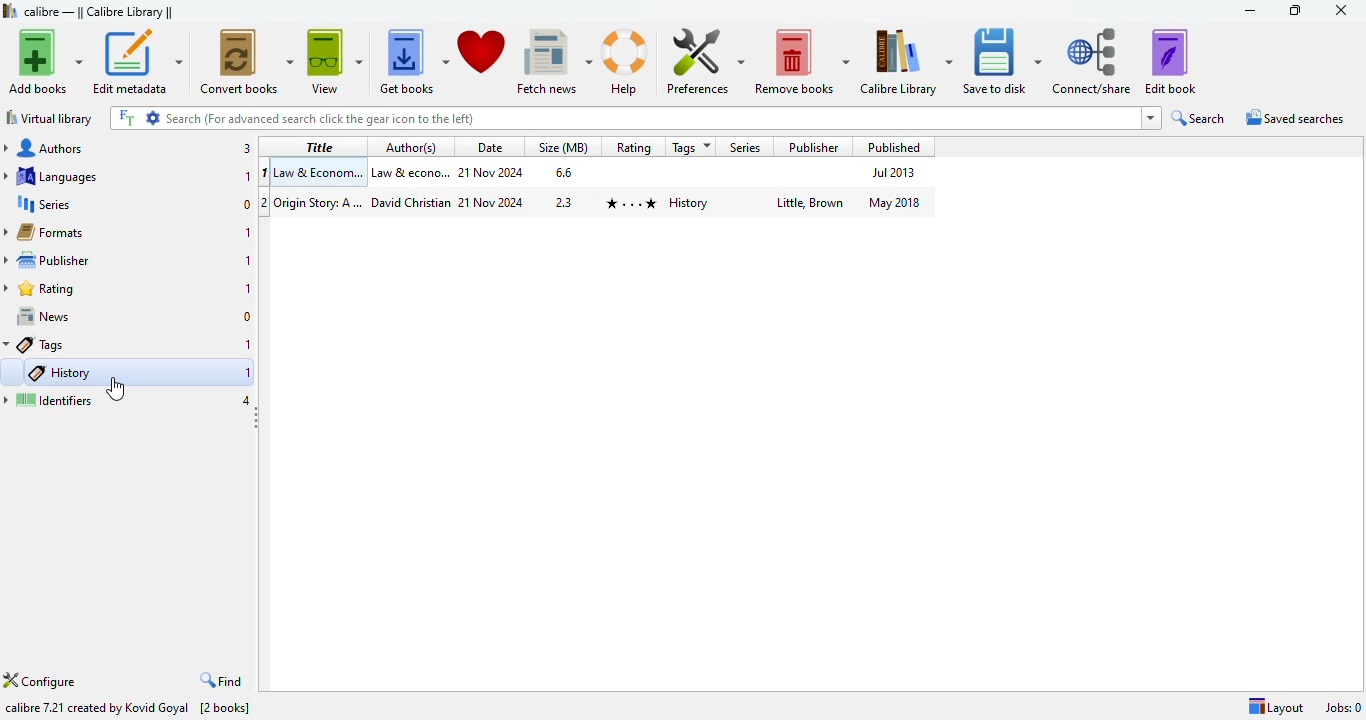  Describe the element at coordinates (412, 172) in the screenshot. I see `law & economics` at that location.